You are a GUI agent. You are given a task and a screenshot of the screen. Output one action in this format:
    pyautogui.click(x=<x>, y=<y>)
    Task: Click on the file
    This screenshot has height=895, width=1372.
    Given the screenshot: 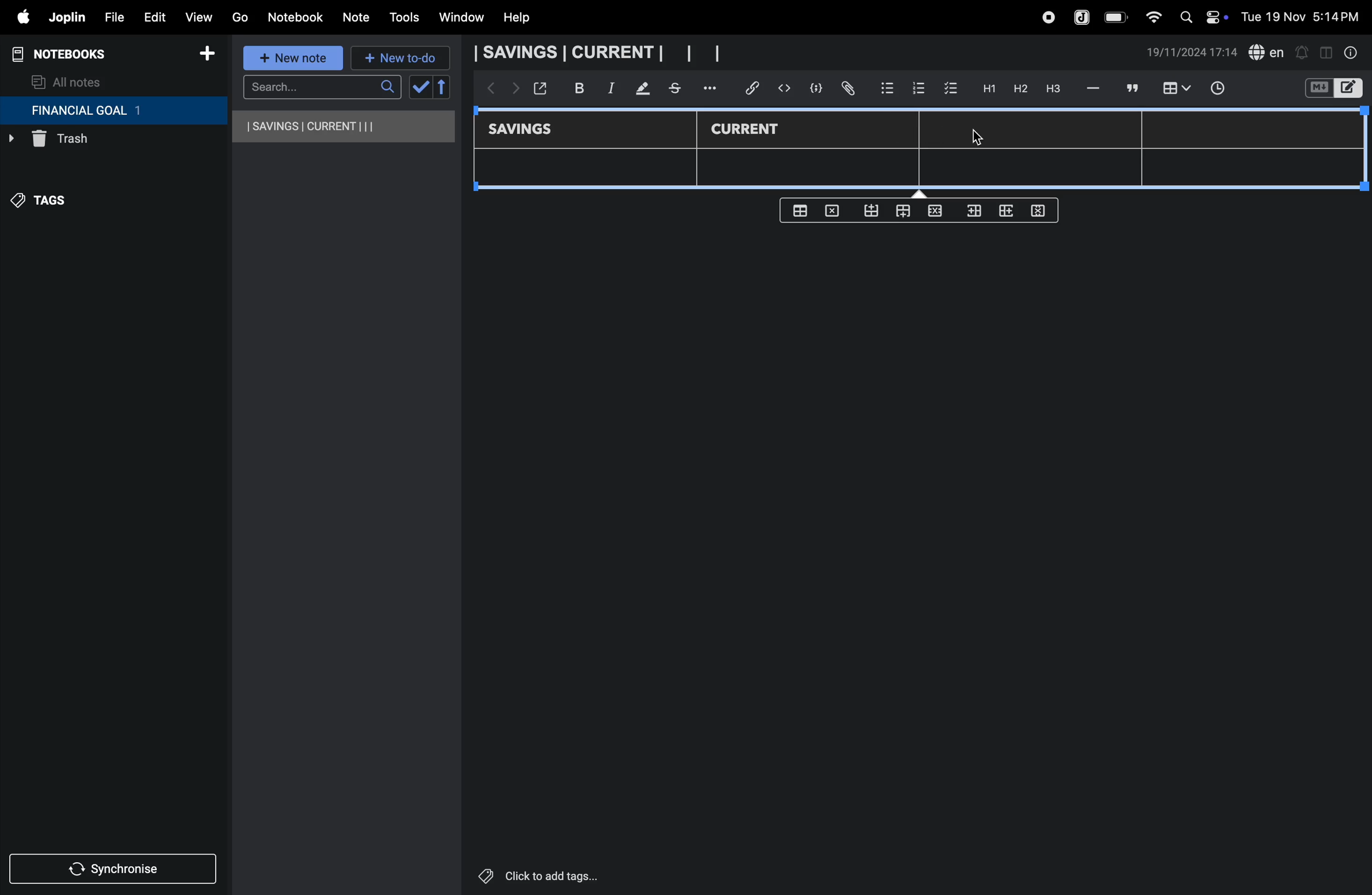 What is the action you would take?
    pyautogui.click(x=110, y=16)
    